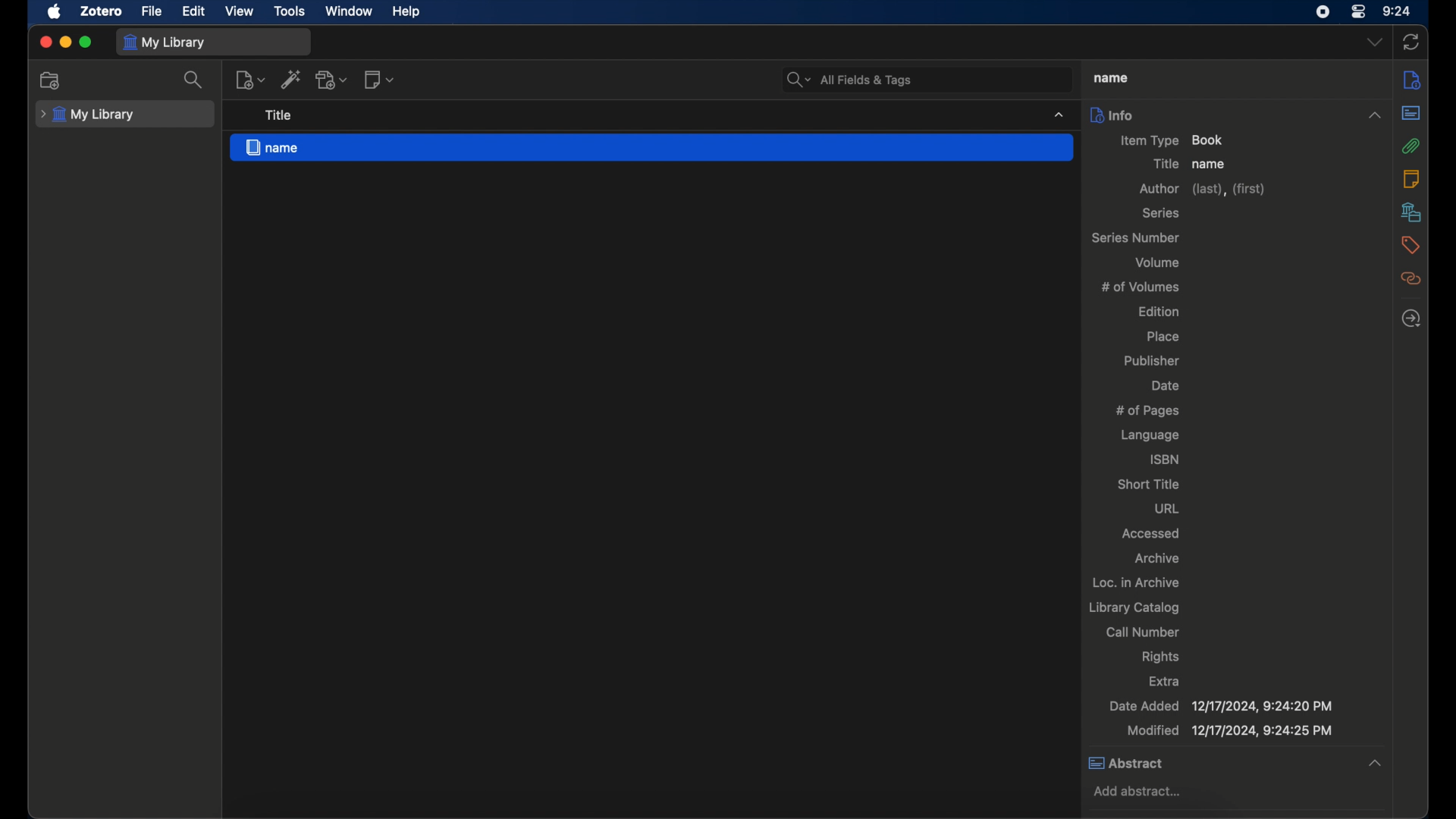 The width and height of the screenshot is (1456, 819). Describe the element at coordinates (1151, 360) in the screenshot. I see `publisher` at that location.